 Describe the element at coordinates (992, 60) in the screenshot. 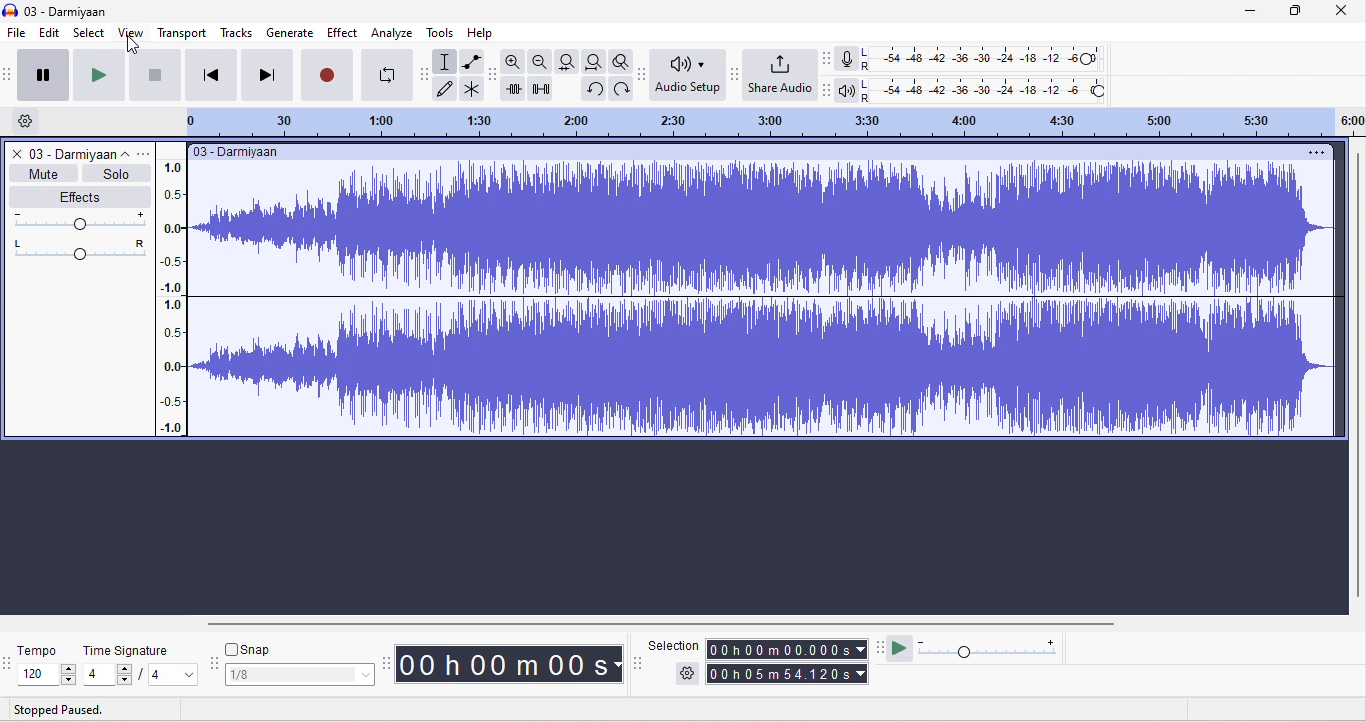

I see `recording level` at that location.